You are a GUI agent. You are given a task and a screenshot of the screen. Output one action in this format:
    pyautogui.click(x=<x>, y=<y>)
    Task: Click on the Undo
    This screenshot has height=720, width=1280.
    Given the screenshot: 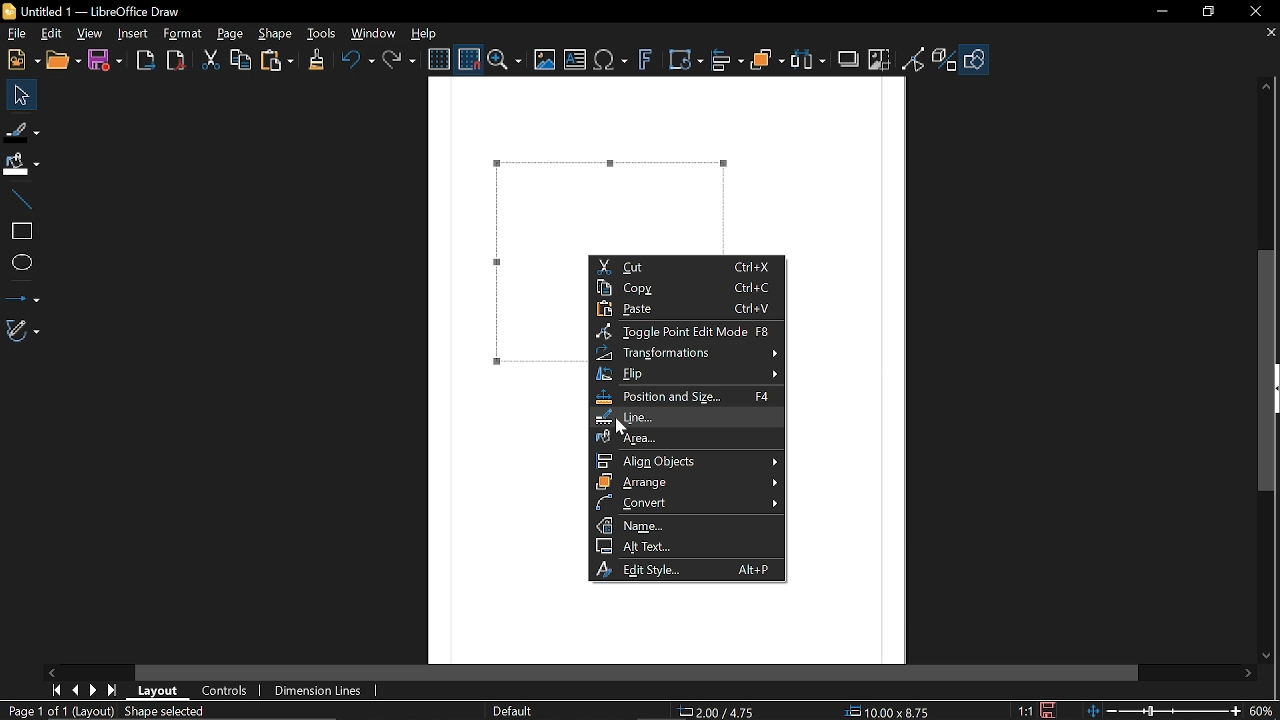 What is the action you would take?
    pyautogui.click(x=357, y=60)
    